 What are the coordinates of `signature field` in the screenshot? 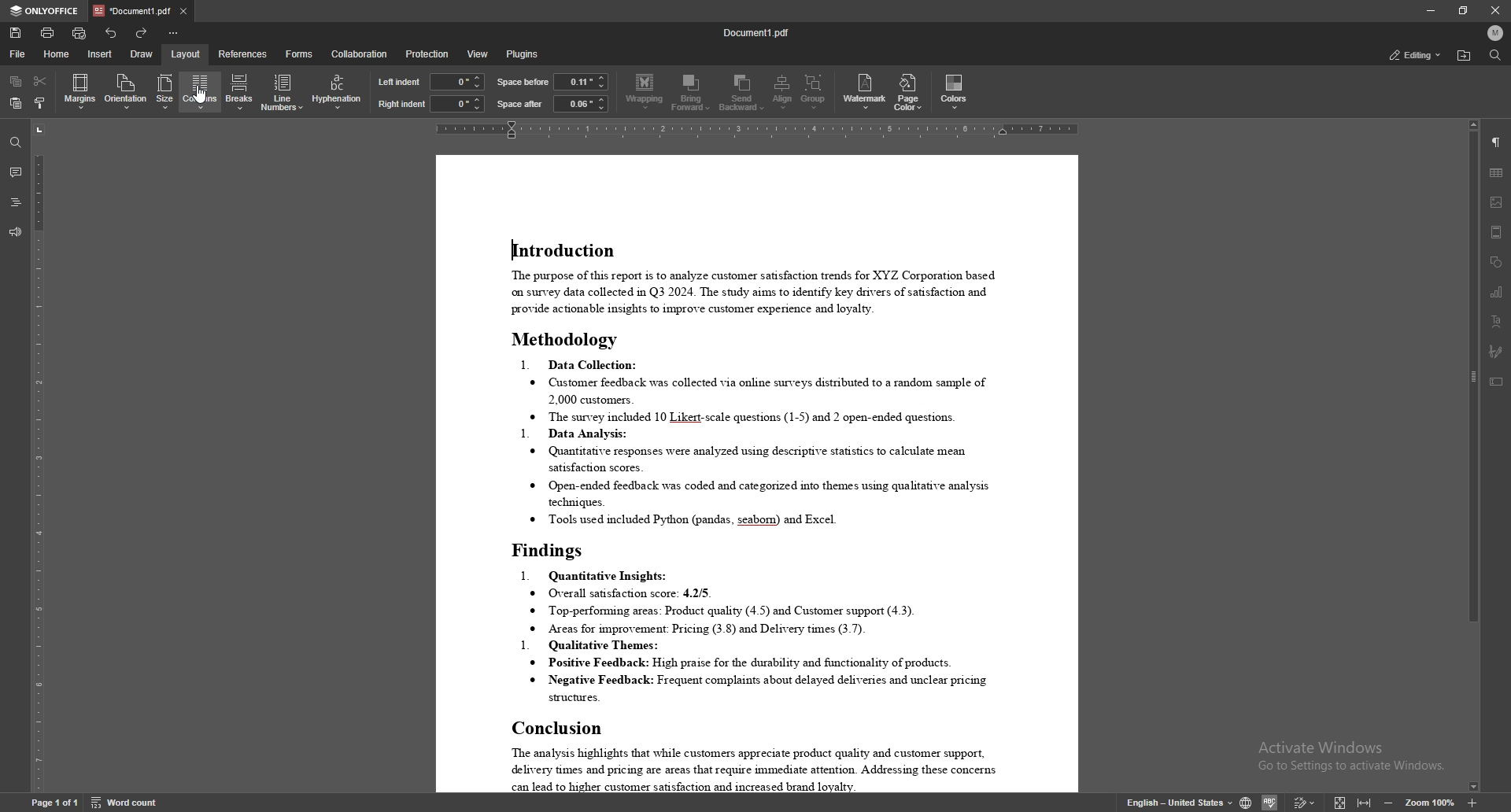 It's located at (1496, 351).